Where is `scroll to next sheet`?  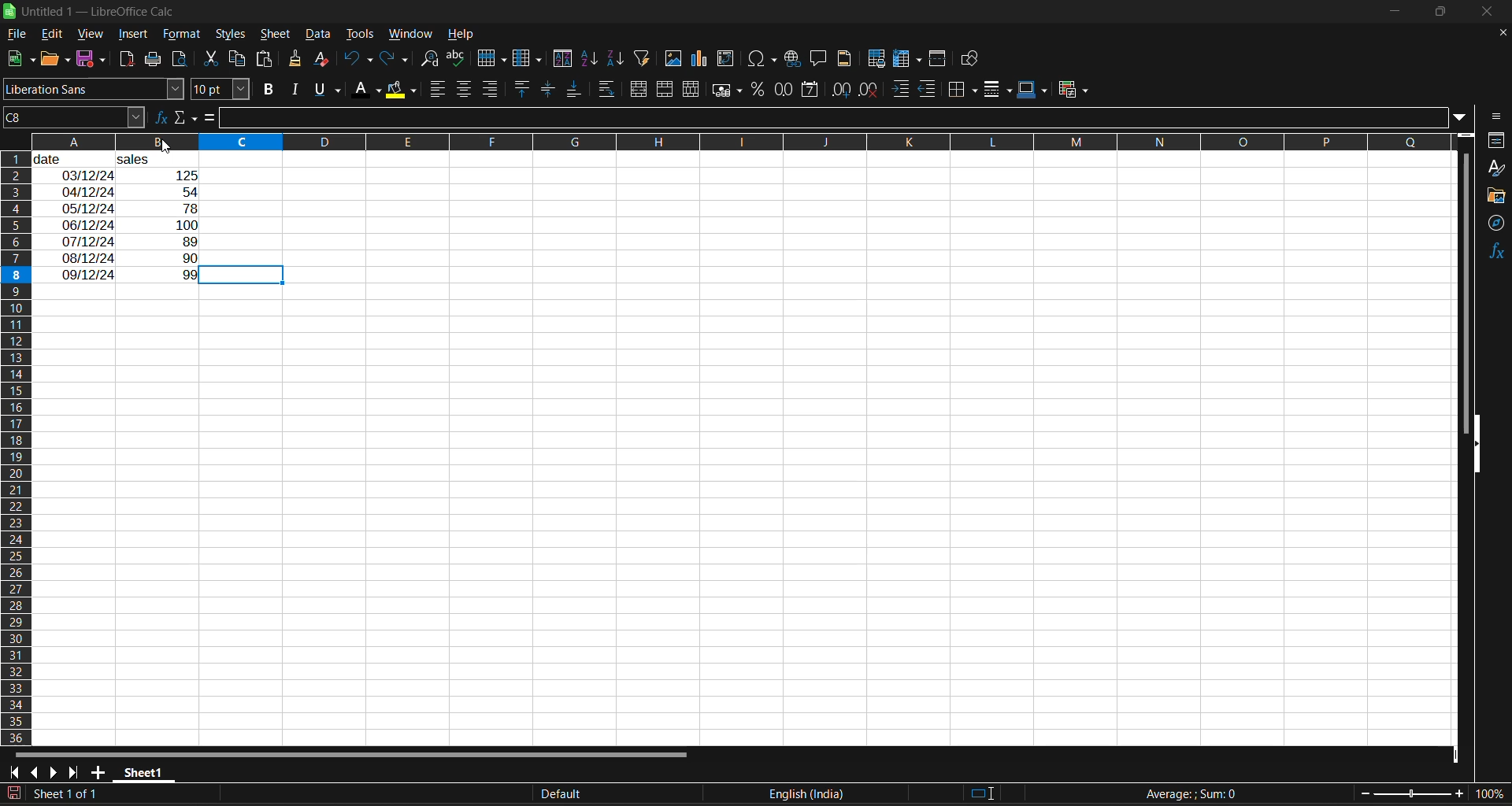
scroll to next sheet is located at coordinates (54, 771).